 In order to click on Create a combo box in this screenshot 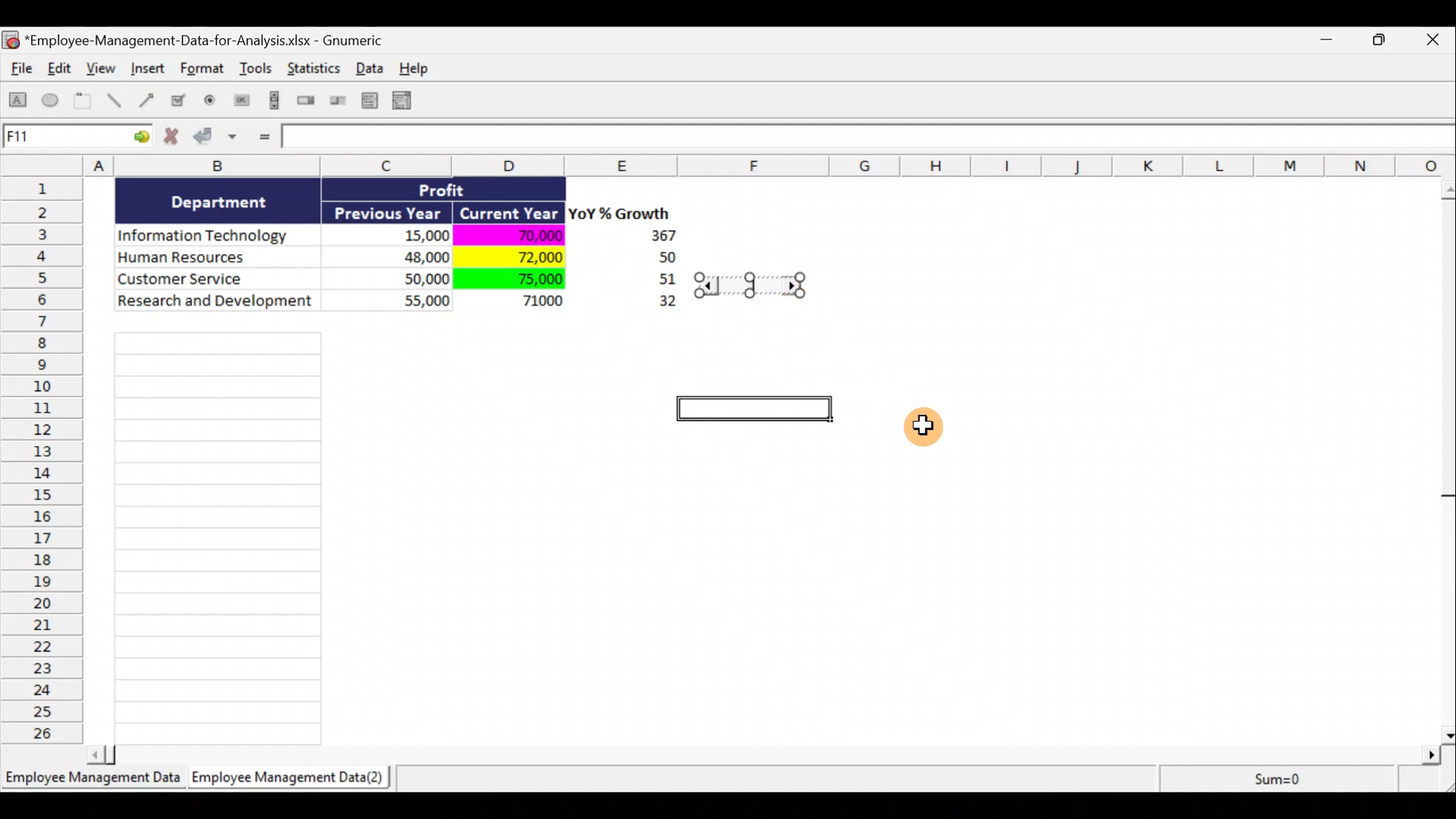, I will do `click(409, 101)`.